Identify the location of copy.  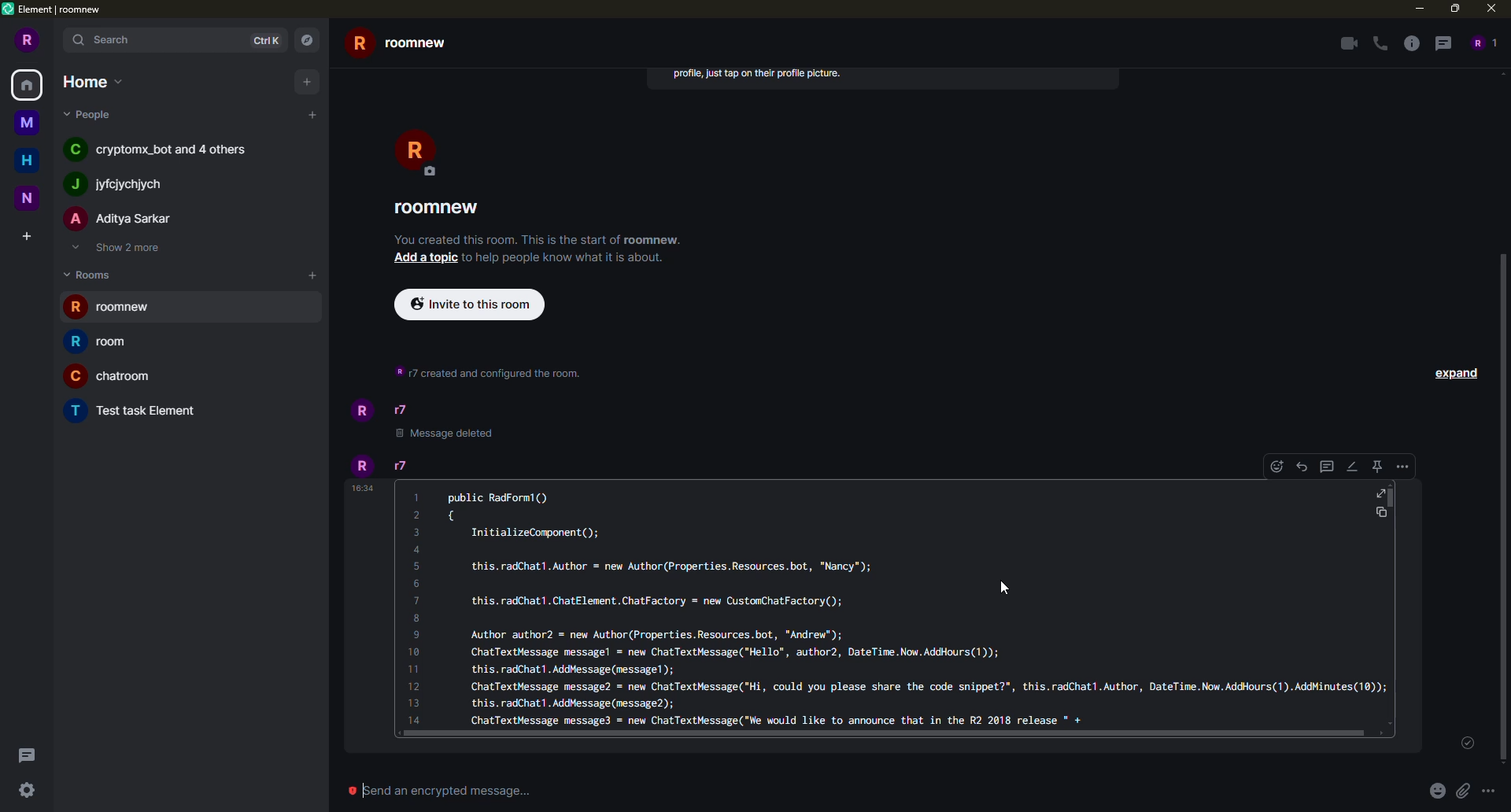
(1381, 514).